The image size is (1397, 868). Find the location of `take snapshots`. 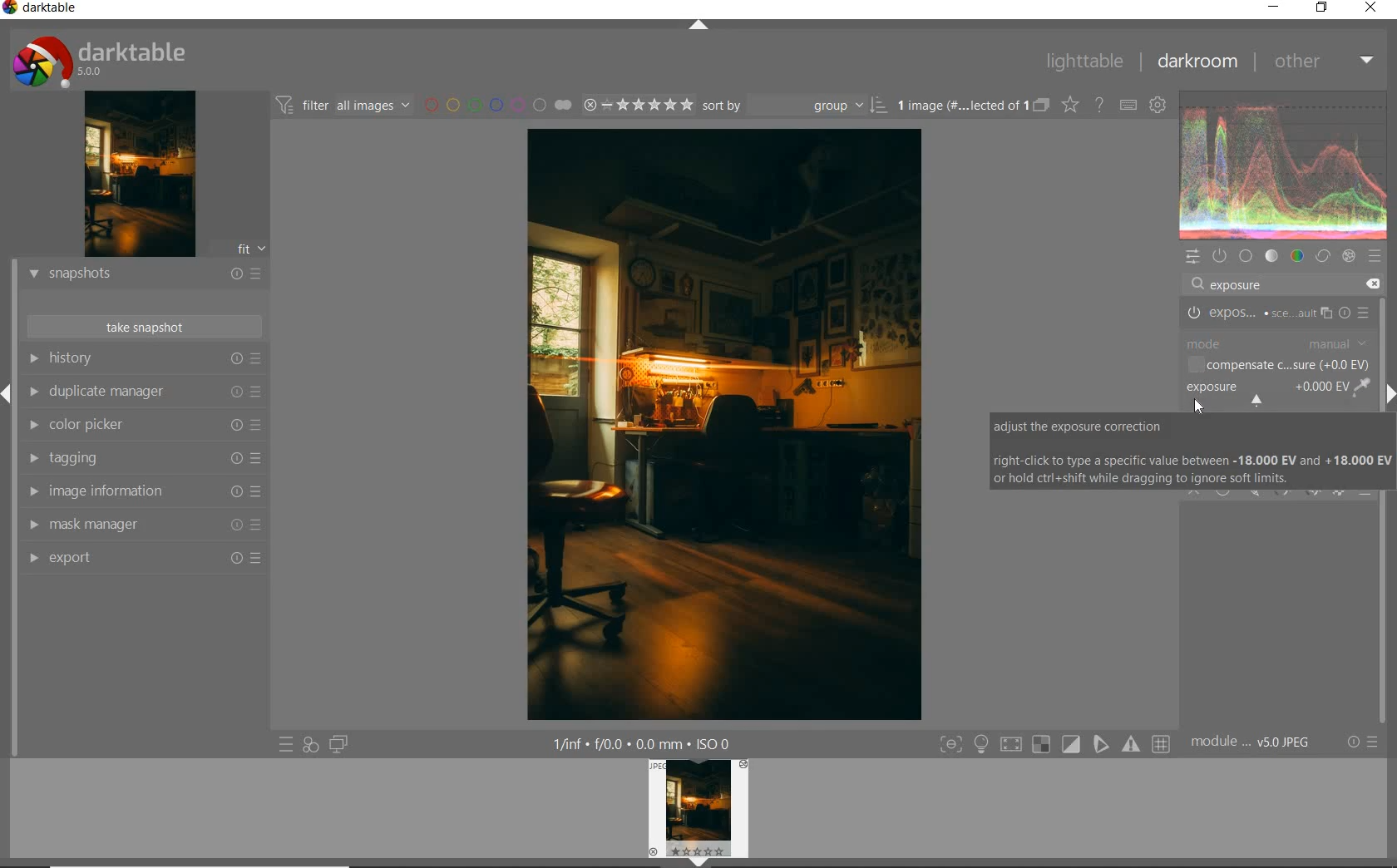

take snapshots is located at coordinates (146, 326).